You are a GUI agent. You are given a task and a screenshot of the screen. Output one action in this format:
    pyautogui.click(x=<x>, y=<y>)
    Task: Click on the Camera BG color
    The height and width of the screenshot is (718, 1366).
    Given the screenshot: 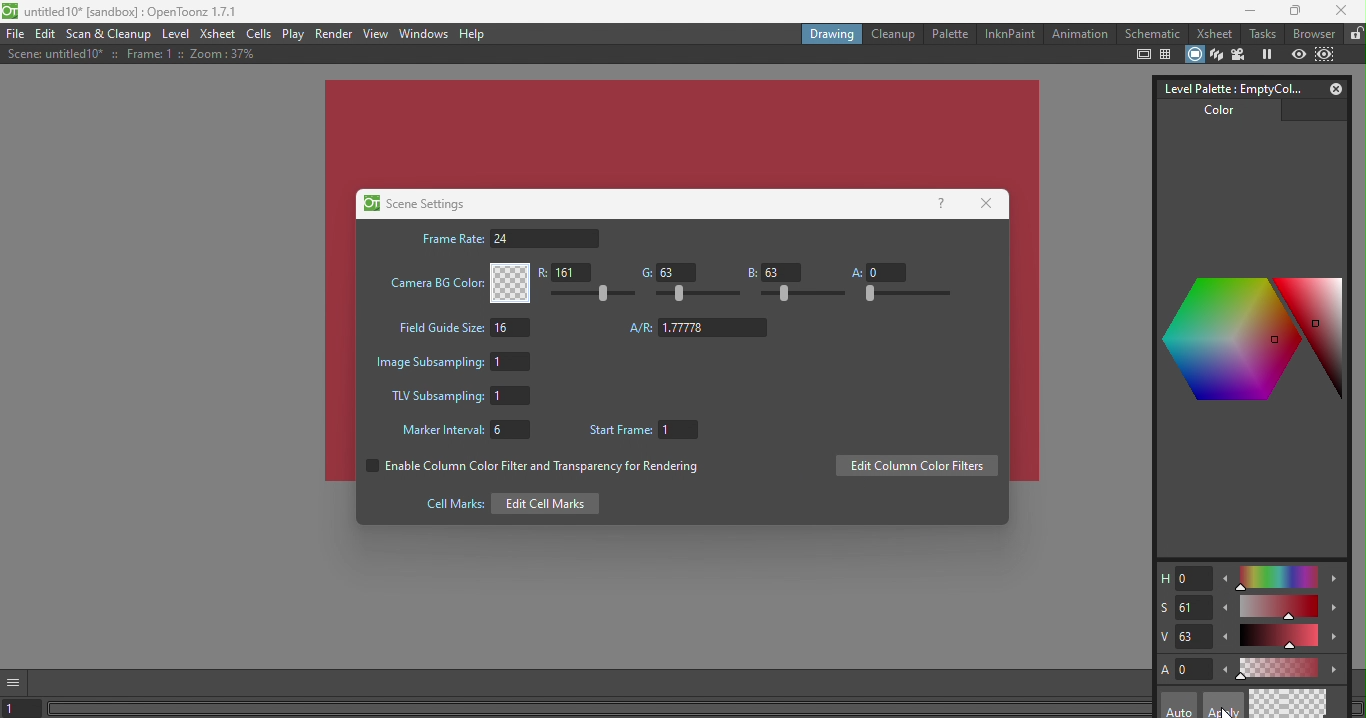 What is the action you would take?
    pyautogui.click(x=457, y=283)
    